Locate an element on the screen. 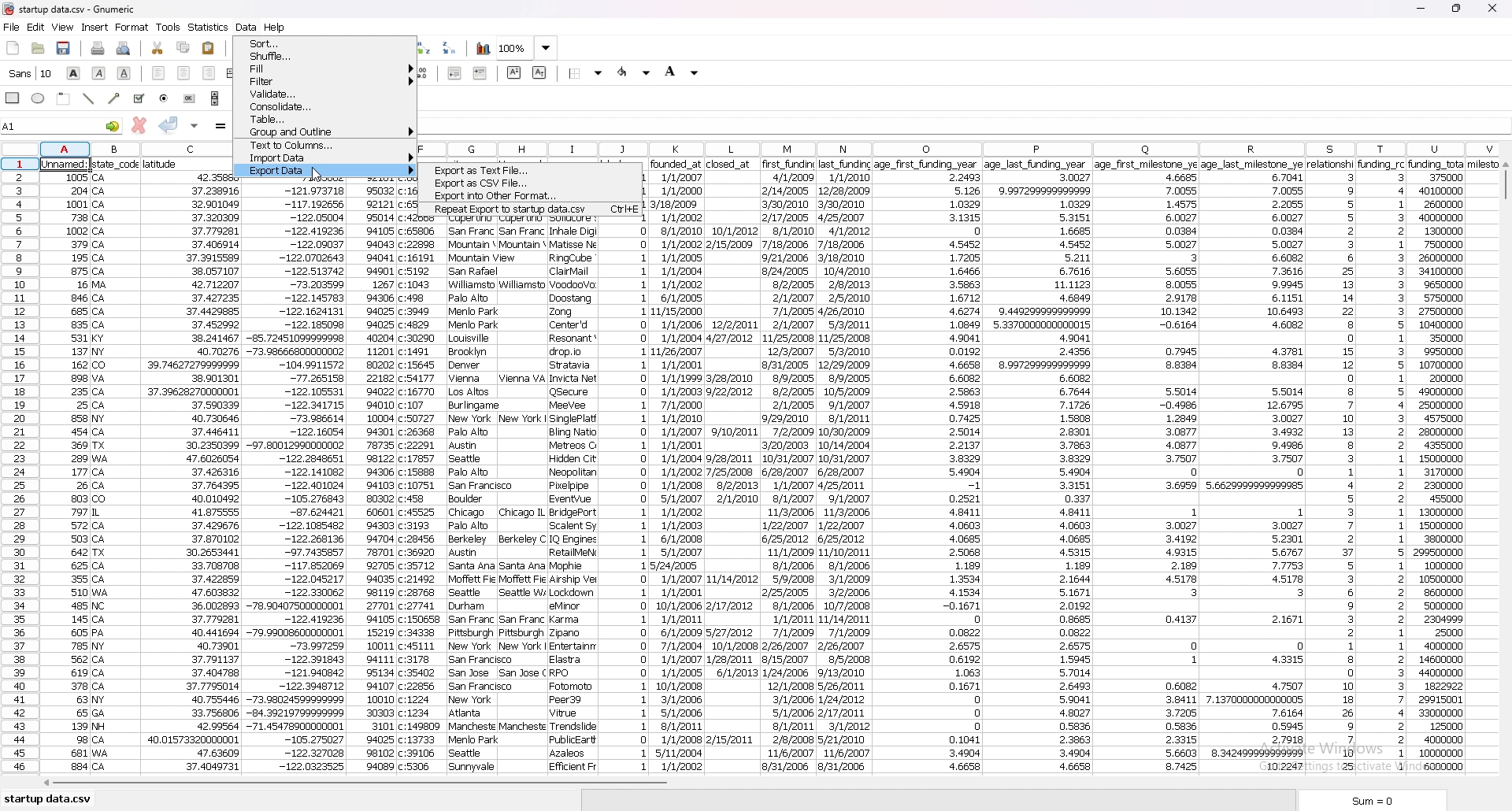  columns is located at coordinates (963, 144).